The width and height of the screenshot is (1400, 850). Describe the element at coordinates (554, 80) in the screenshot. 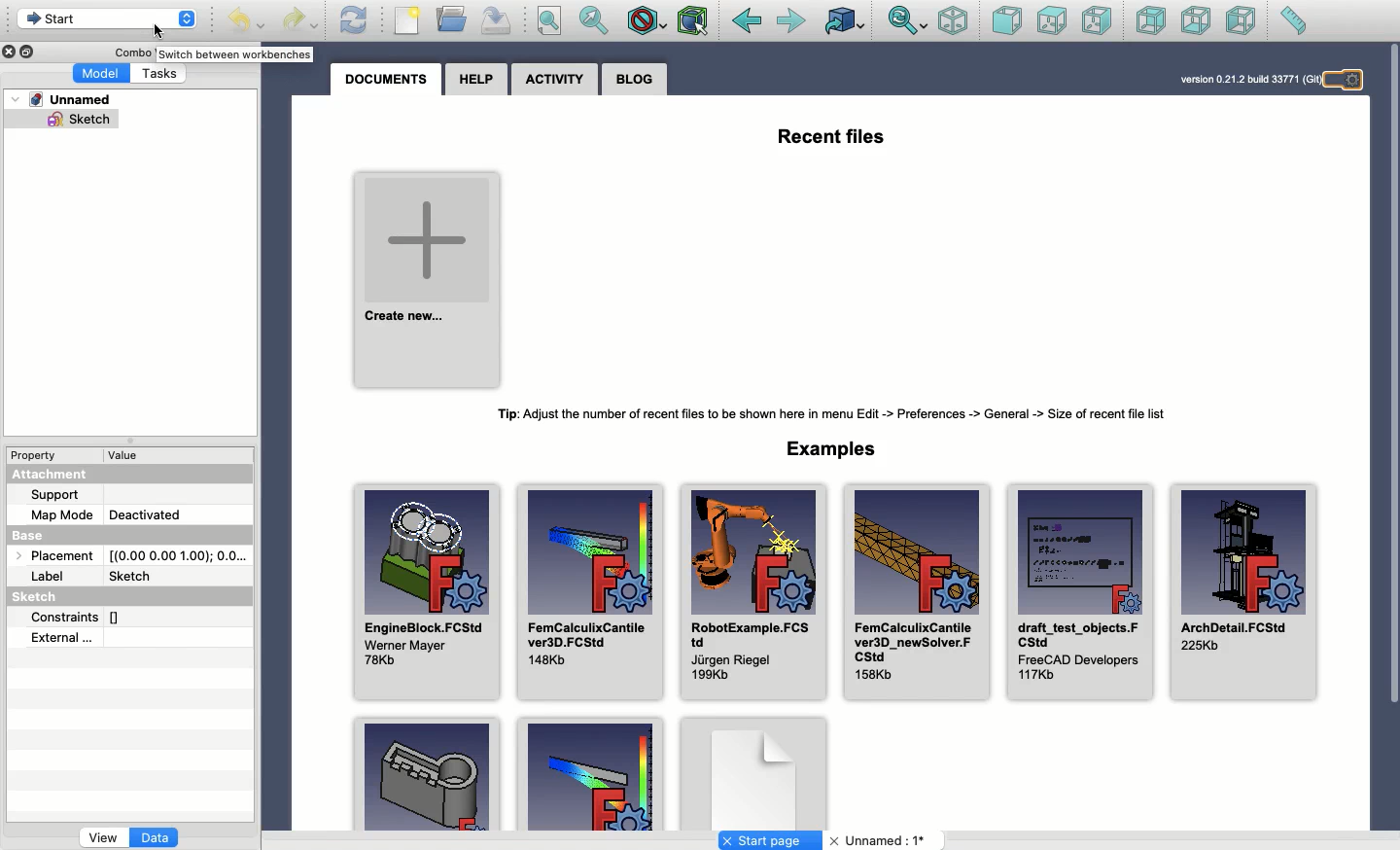

I see `Activity ` at that location.